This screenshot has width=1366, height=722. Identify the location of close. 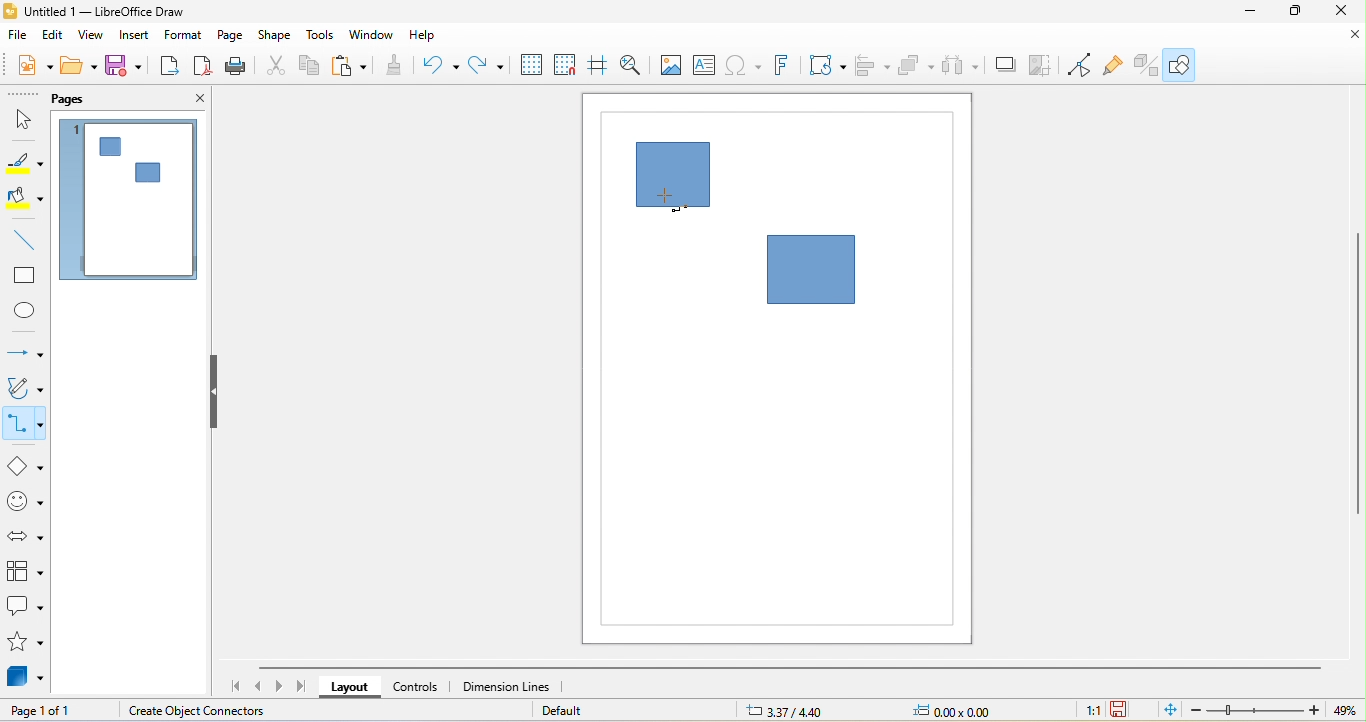
(1342, 10).